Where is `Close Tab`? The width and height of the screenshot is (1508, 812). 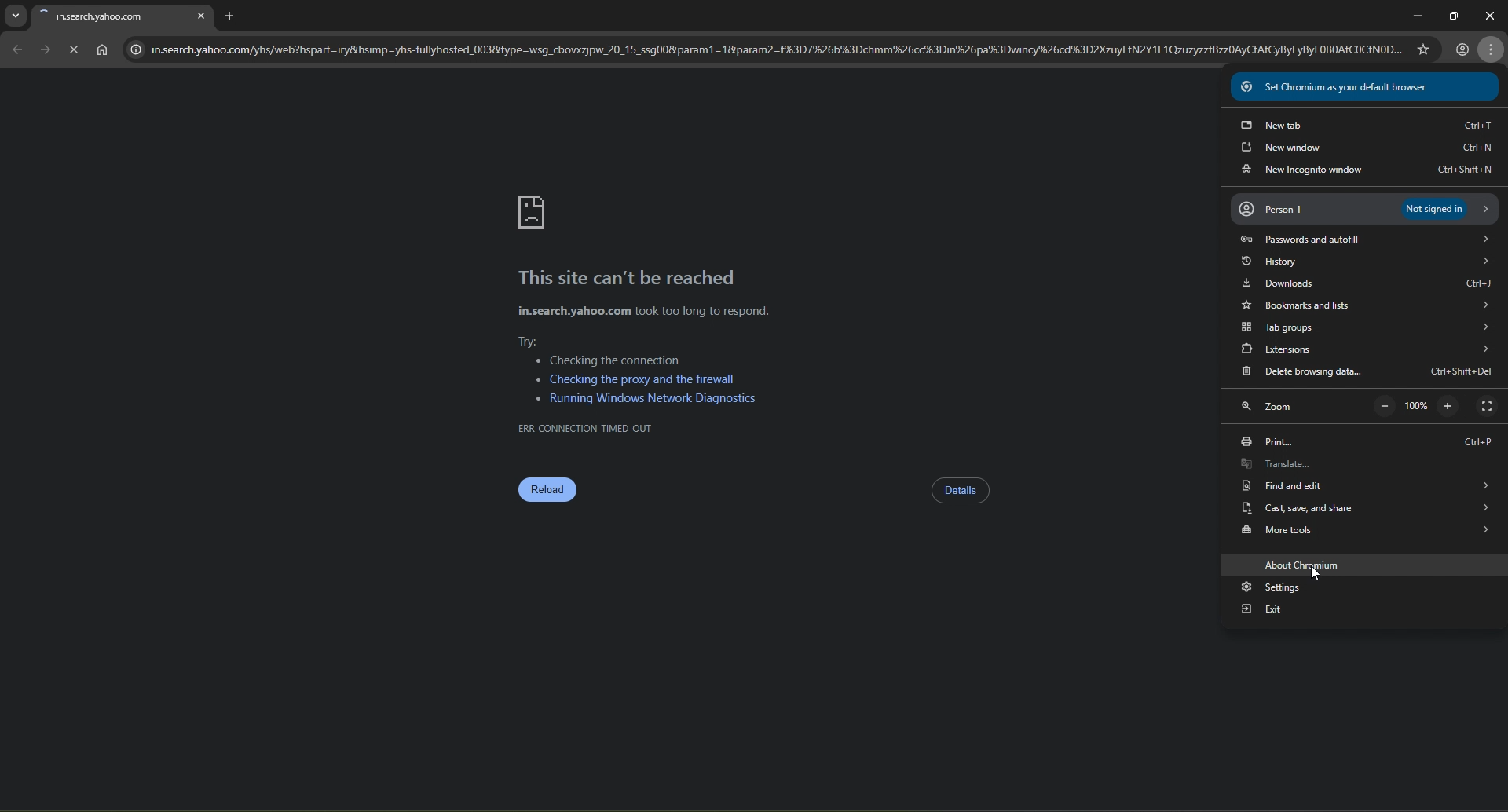 Close Tab is located at coordinates (202, 13).